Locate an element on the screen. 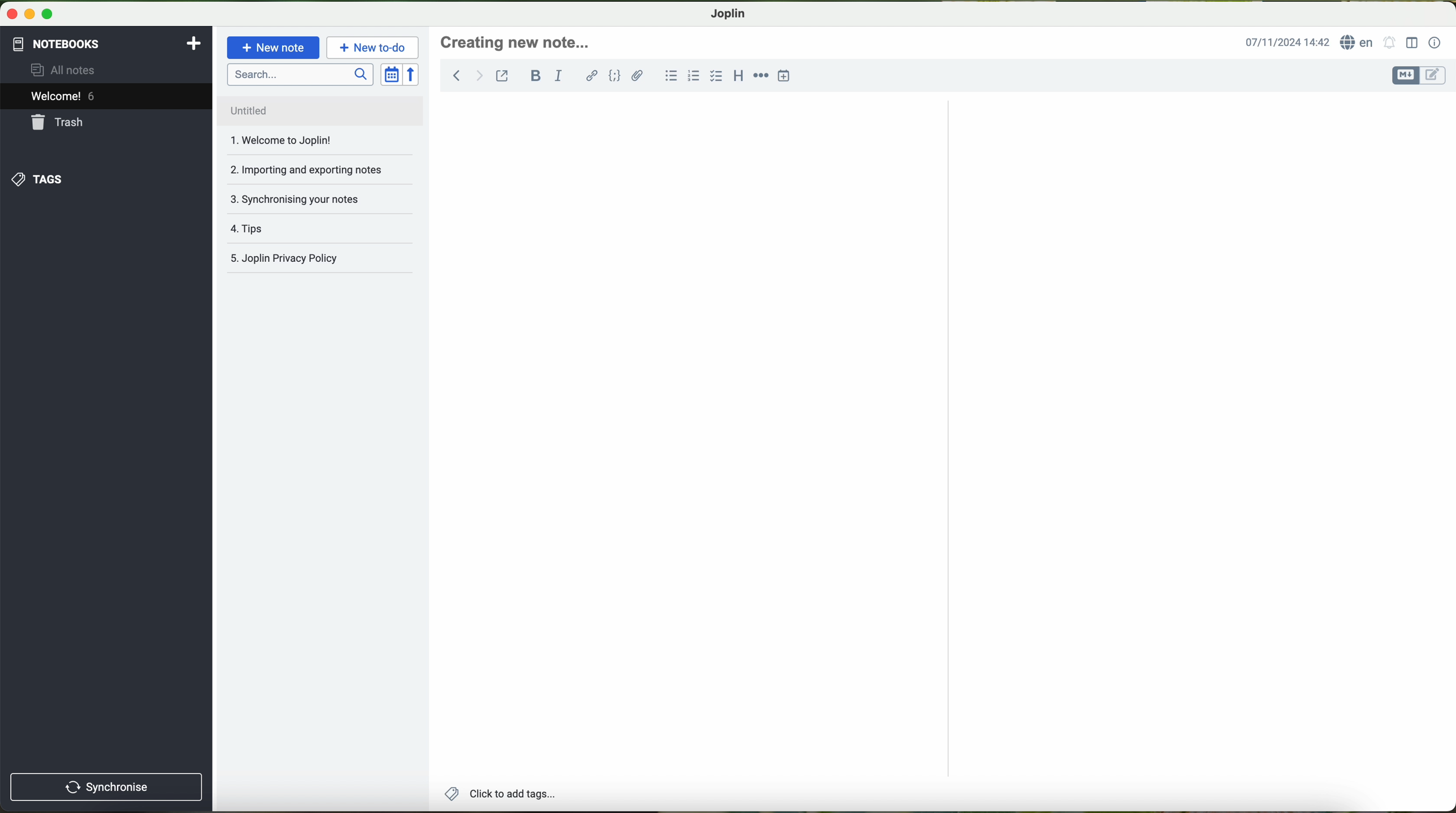  tags is located at coordinates (318, 228).